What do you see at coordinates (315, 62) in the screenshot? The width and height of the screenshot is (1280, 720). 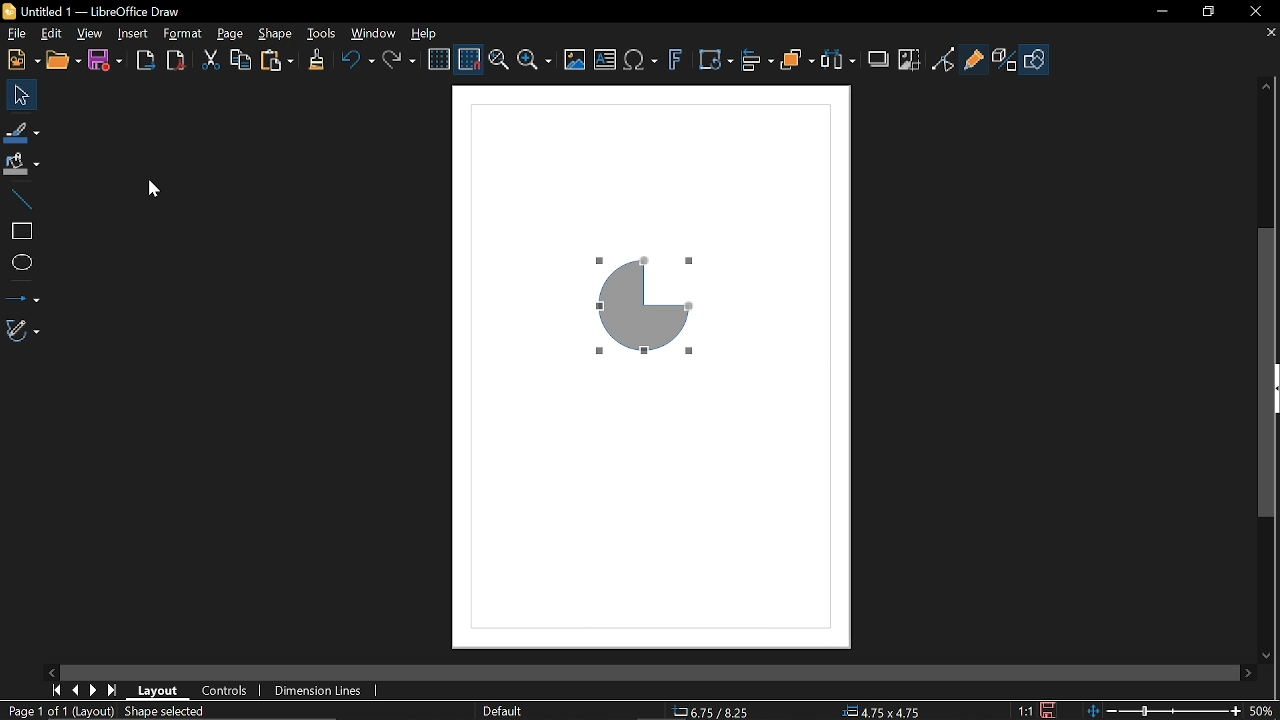 I see `Clone tool` at bounding box center [315, 62].